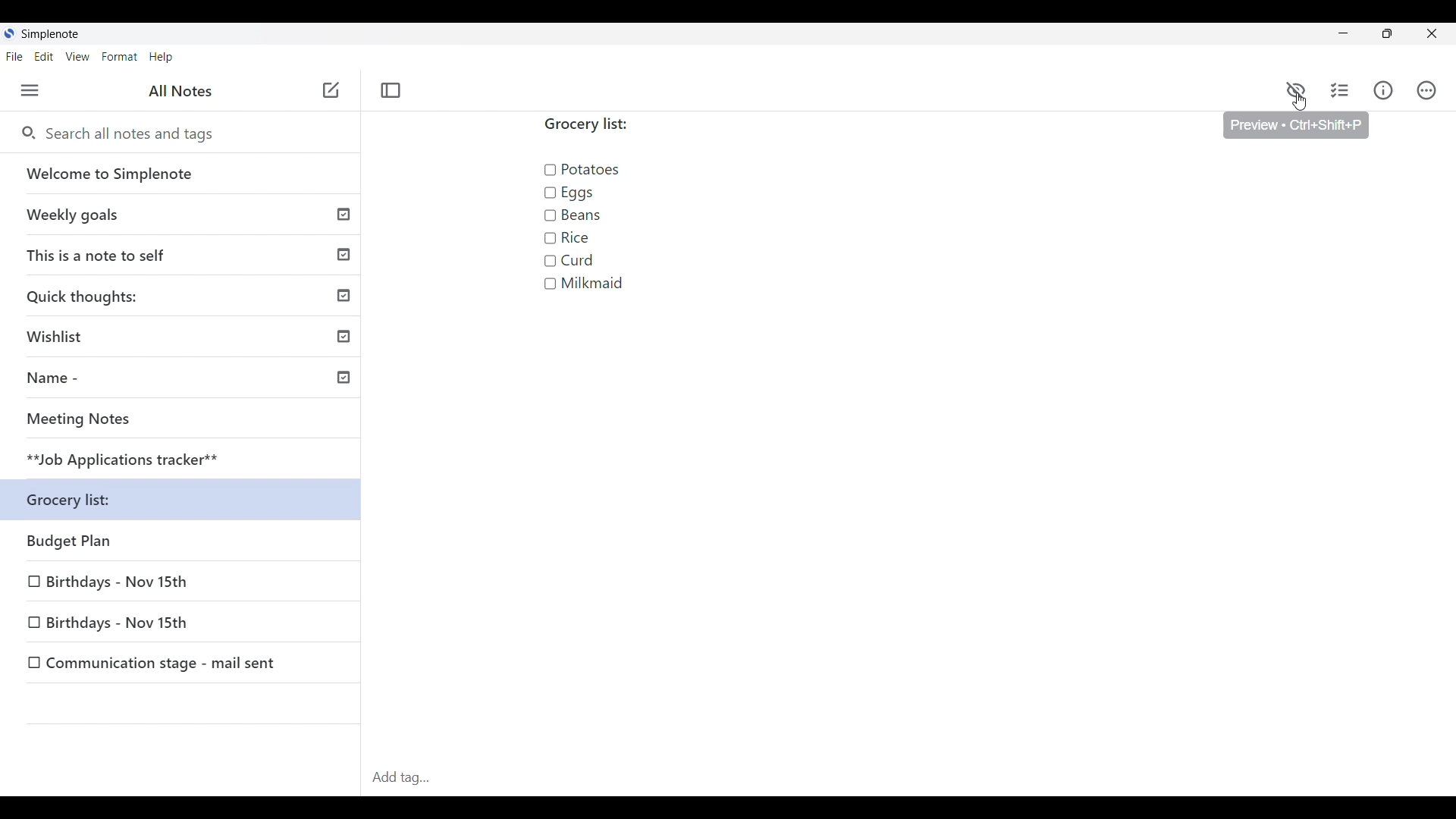 This screenshot has width=1456, height=819. Describe the element at coordinates (120, 57) in the screenshot. I see `Format` at that location.